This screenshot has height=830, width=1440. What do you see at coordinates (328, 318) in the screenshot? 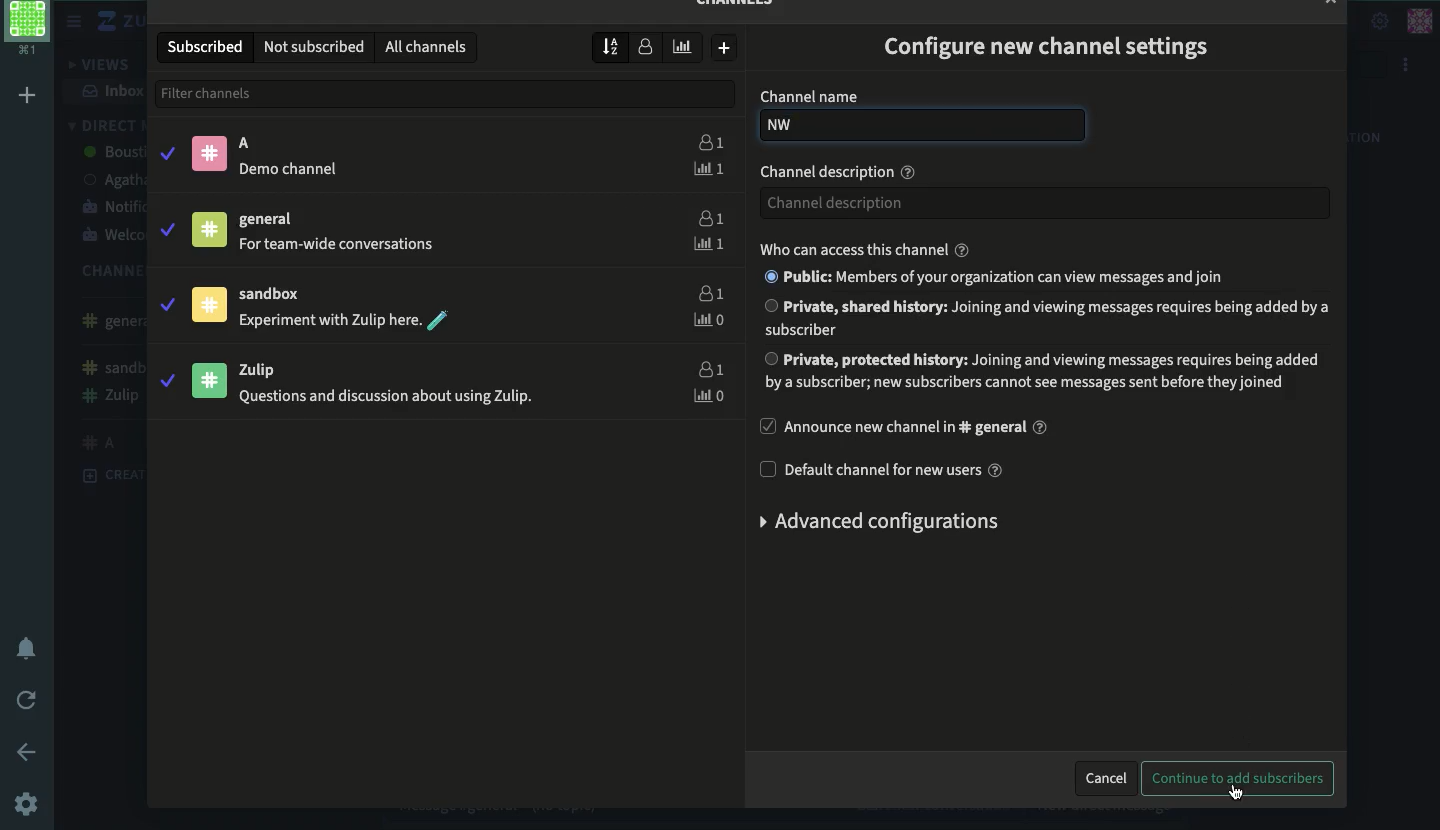
I see `Experiment with Zulip here.` at bounding box center [328, 318].